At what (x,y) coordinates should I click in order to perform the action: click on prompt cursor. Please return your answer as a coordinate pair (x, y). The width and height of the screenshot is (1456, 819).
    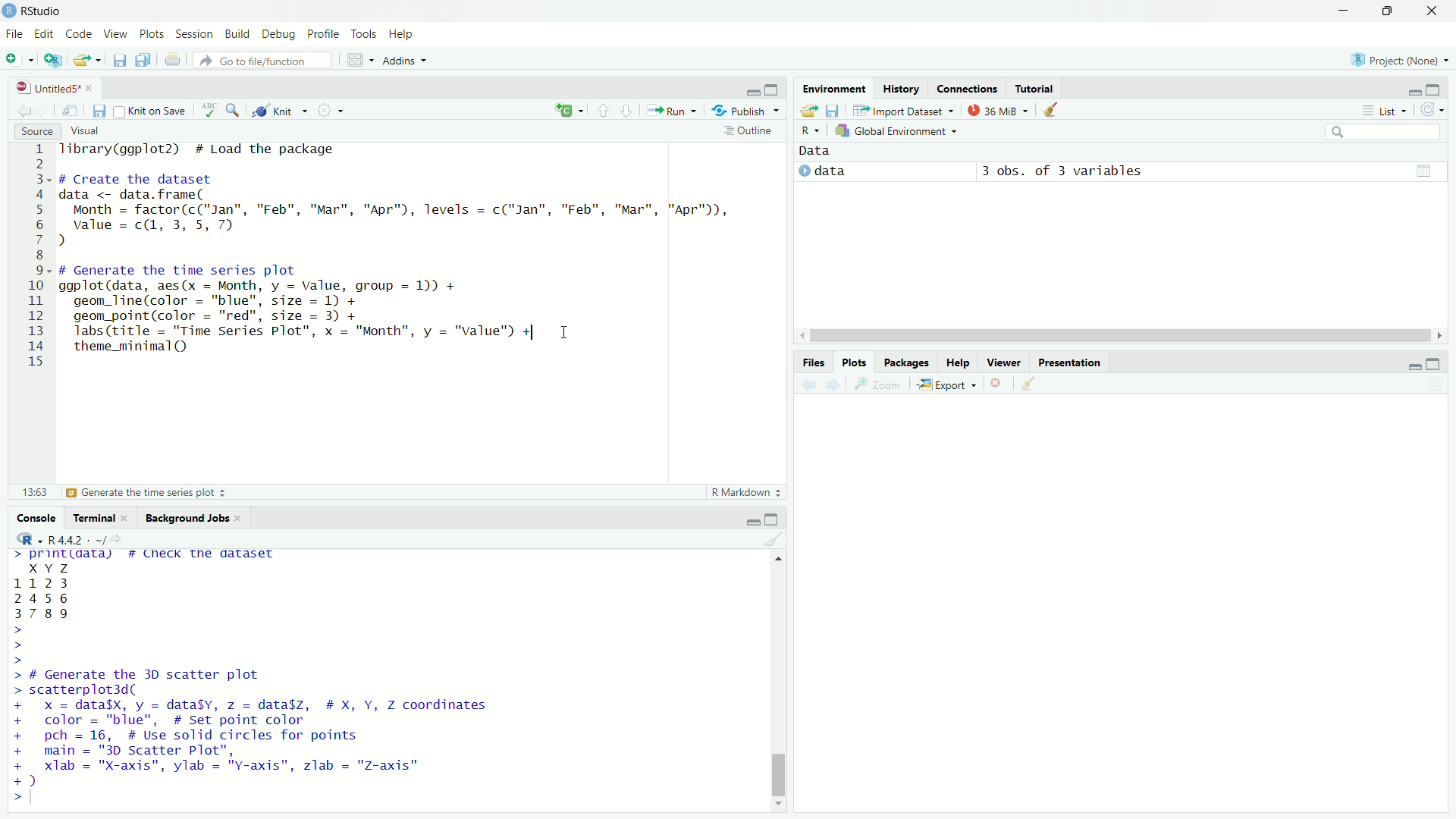
    Looking at the image, I should click on (10, 797).